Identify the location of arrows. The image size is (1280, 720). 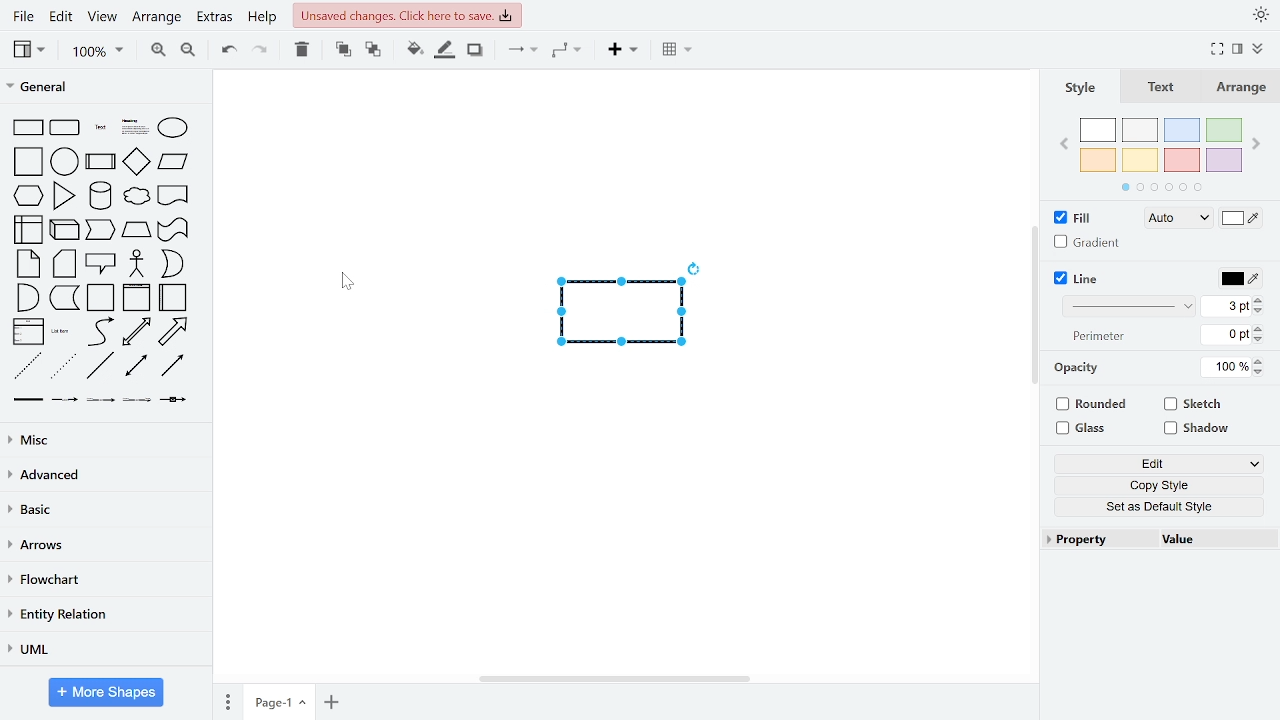
(102, 545).